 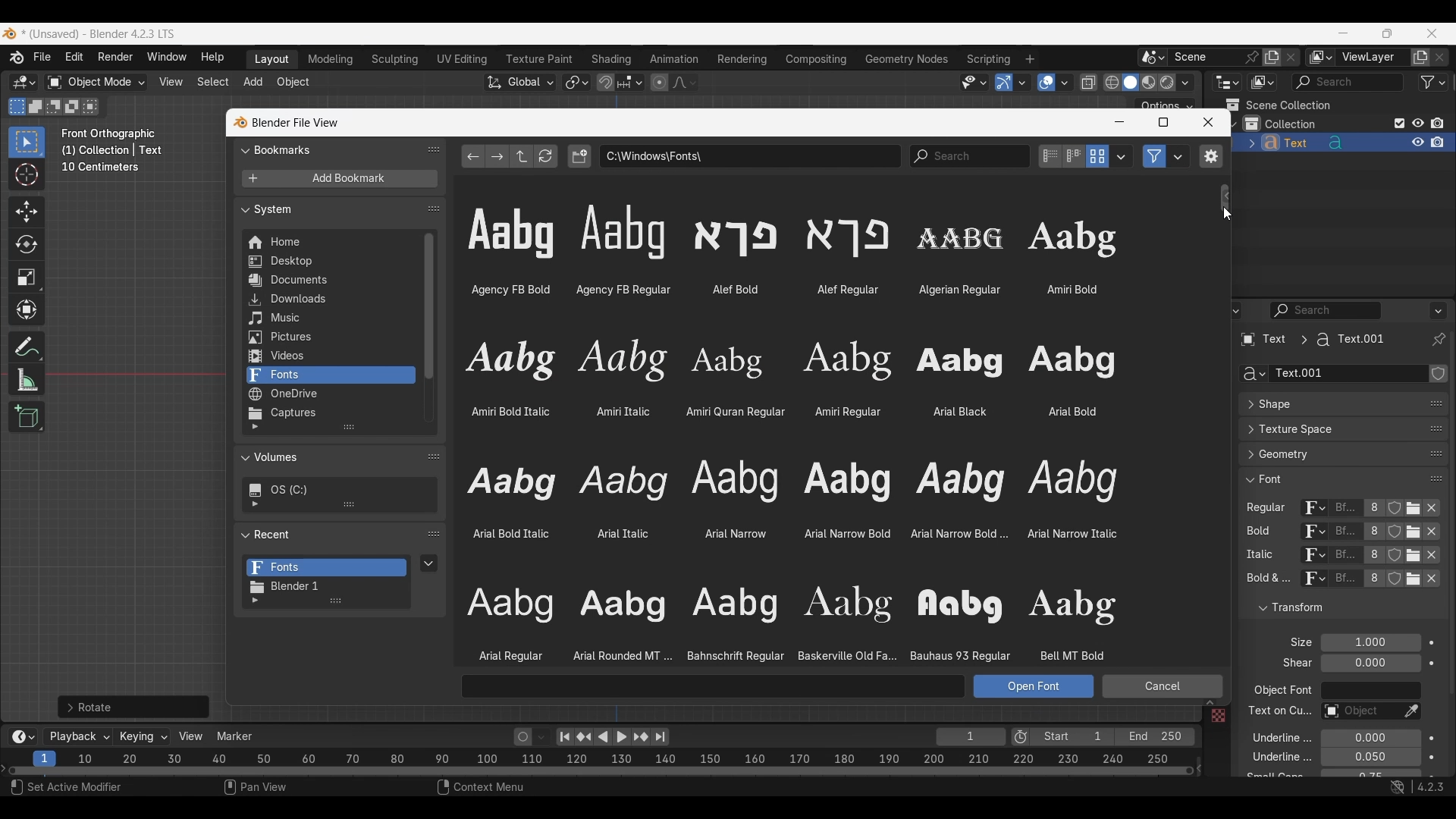 What do you see at coordinates (1178, 156) in the screenshot?
I see `Filter settings` at bounding box center [1178, 156].